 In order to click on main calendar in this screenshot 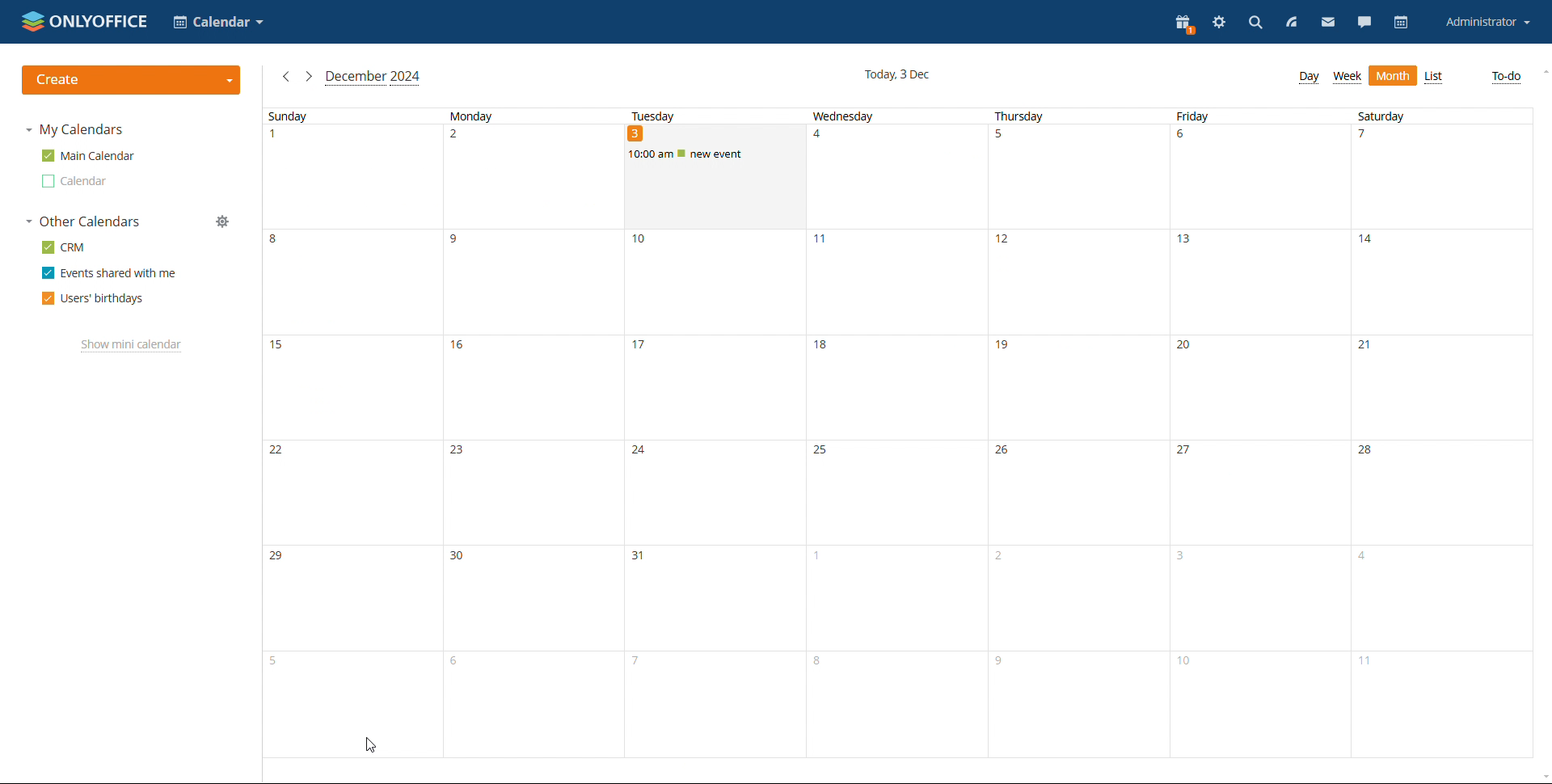, I will do `click(89, 155)`.